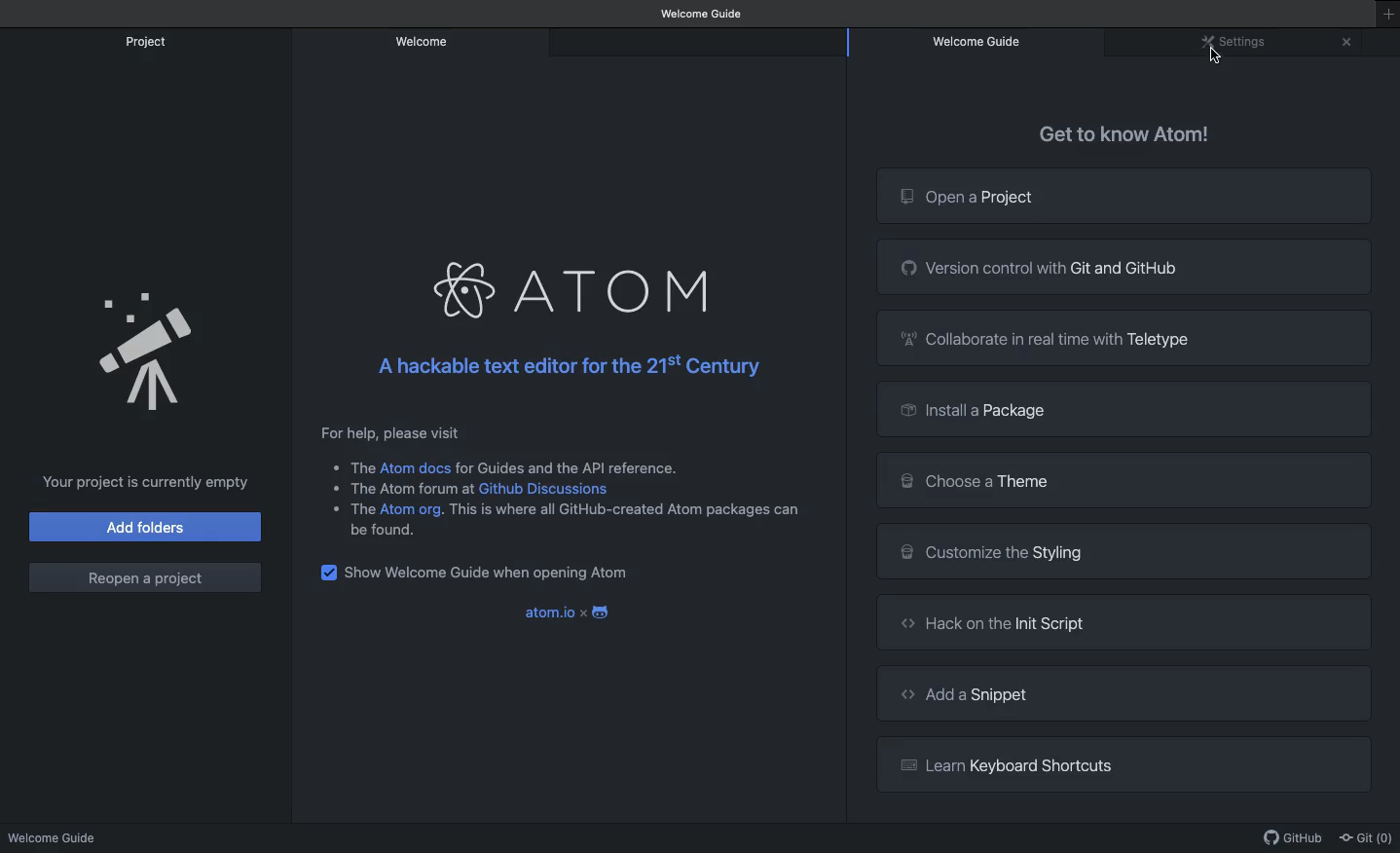 Image resolution: width=1400 pixels, height=853 pixels. What do you see at coordinates (416, 509) in the screenshot?
I see ` Atom org.` at bounding box center [416, 509].